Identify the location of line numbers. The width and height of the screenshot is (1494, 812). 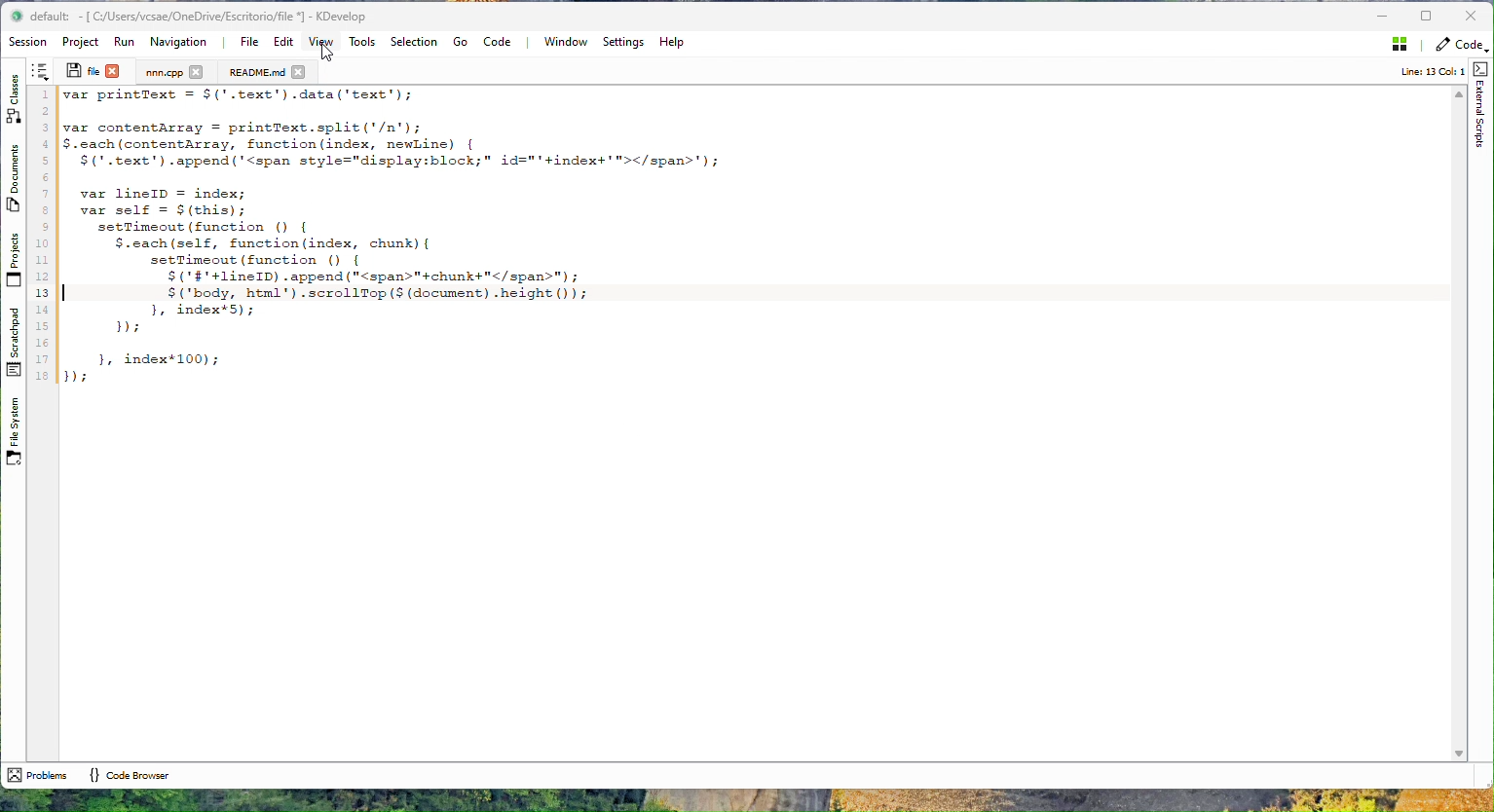
(42, 237).